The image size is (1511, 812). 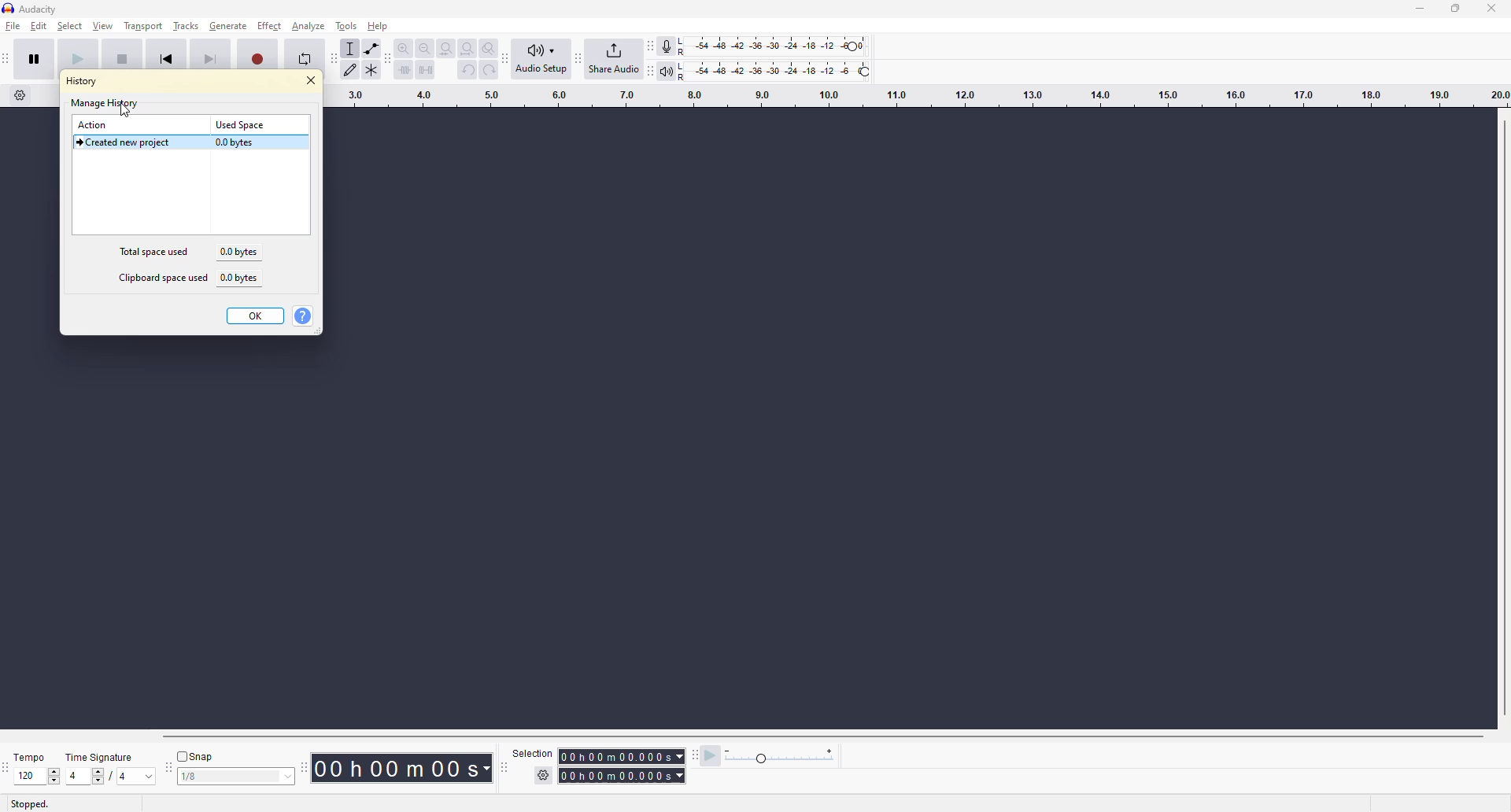 What do you see at coordinates (125, 144) in the screenshot?
I see `Created new project` at bounding box center [125, 144].